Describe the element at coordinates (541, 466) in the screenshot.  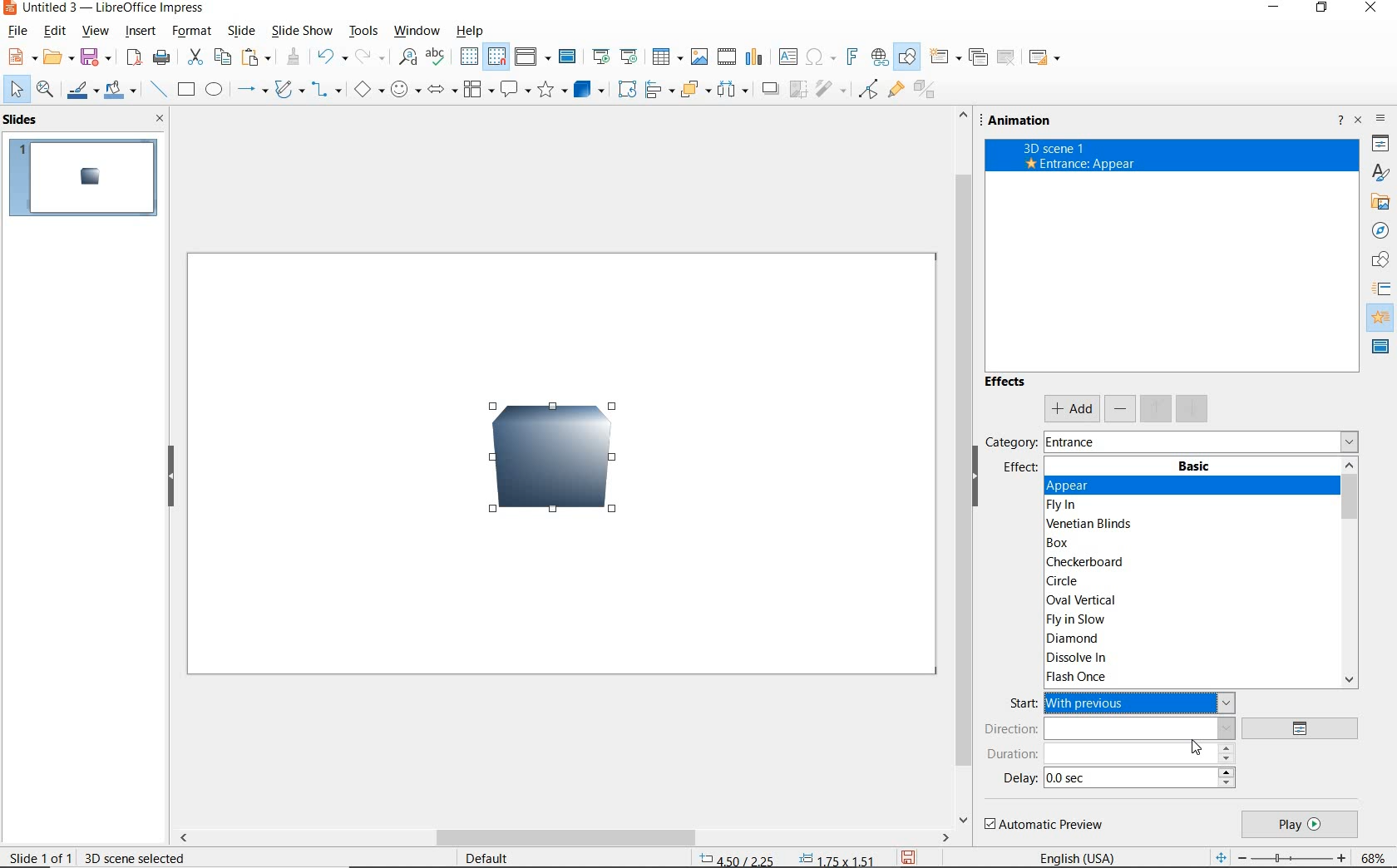
I see `3D Image` at that location.